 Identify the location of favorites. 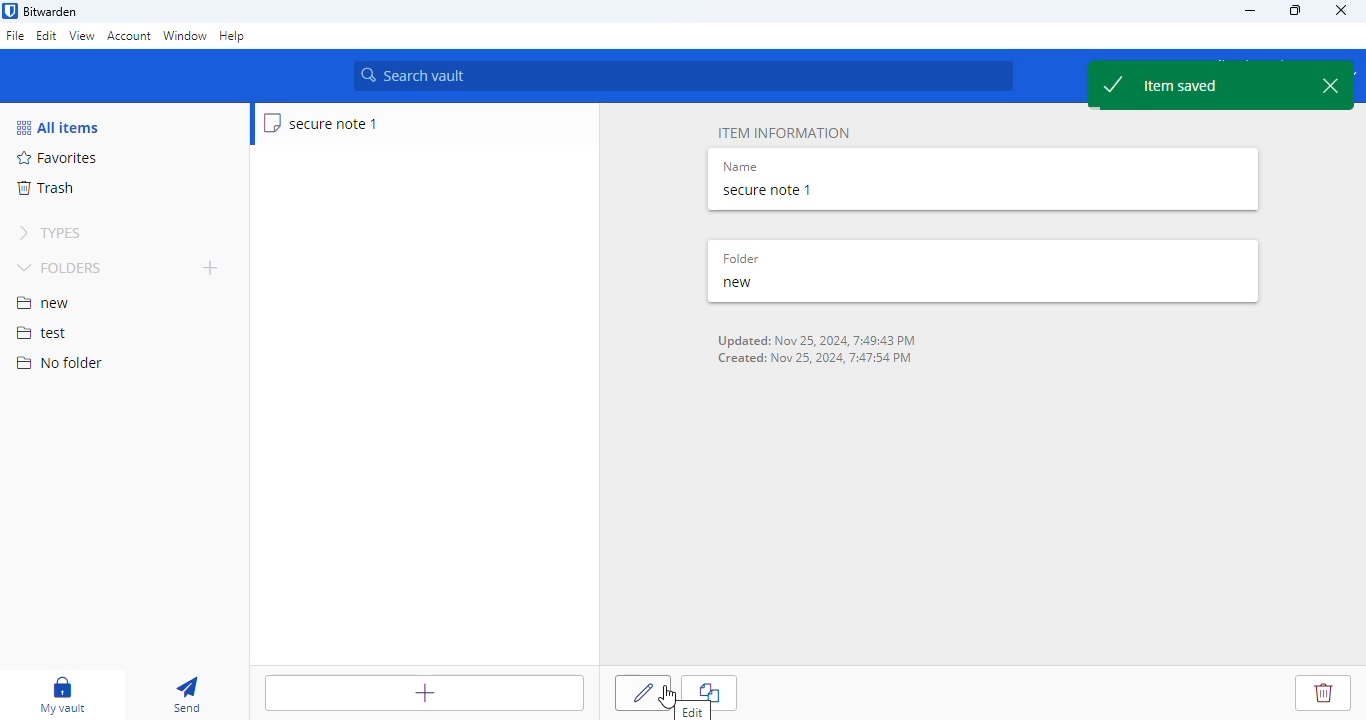
(58, 158).